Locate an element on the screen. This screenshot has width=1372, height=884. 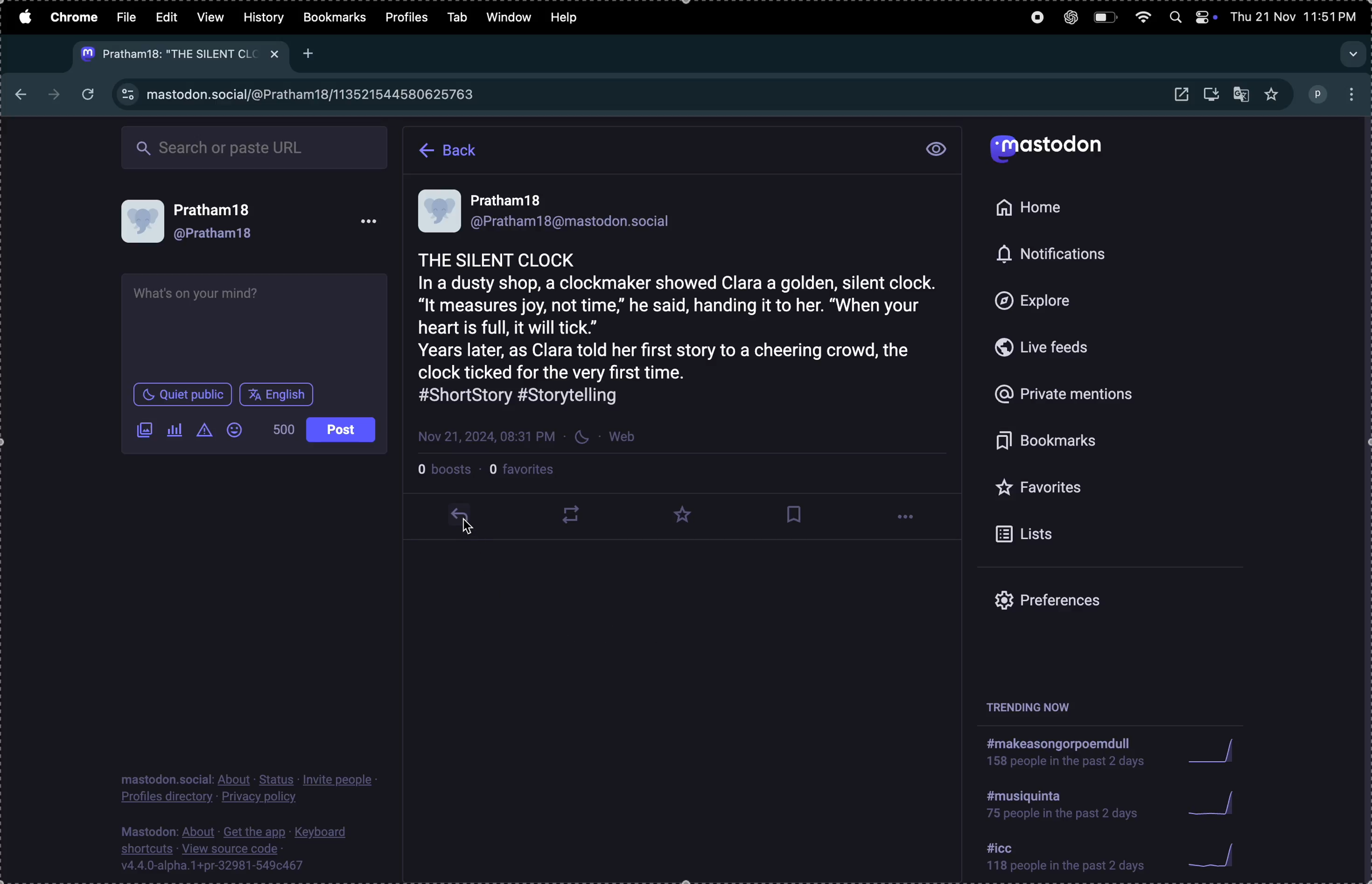
privacy policy is located at coordinates (254, 787).